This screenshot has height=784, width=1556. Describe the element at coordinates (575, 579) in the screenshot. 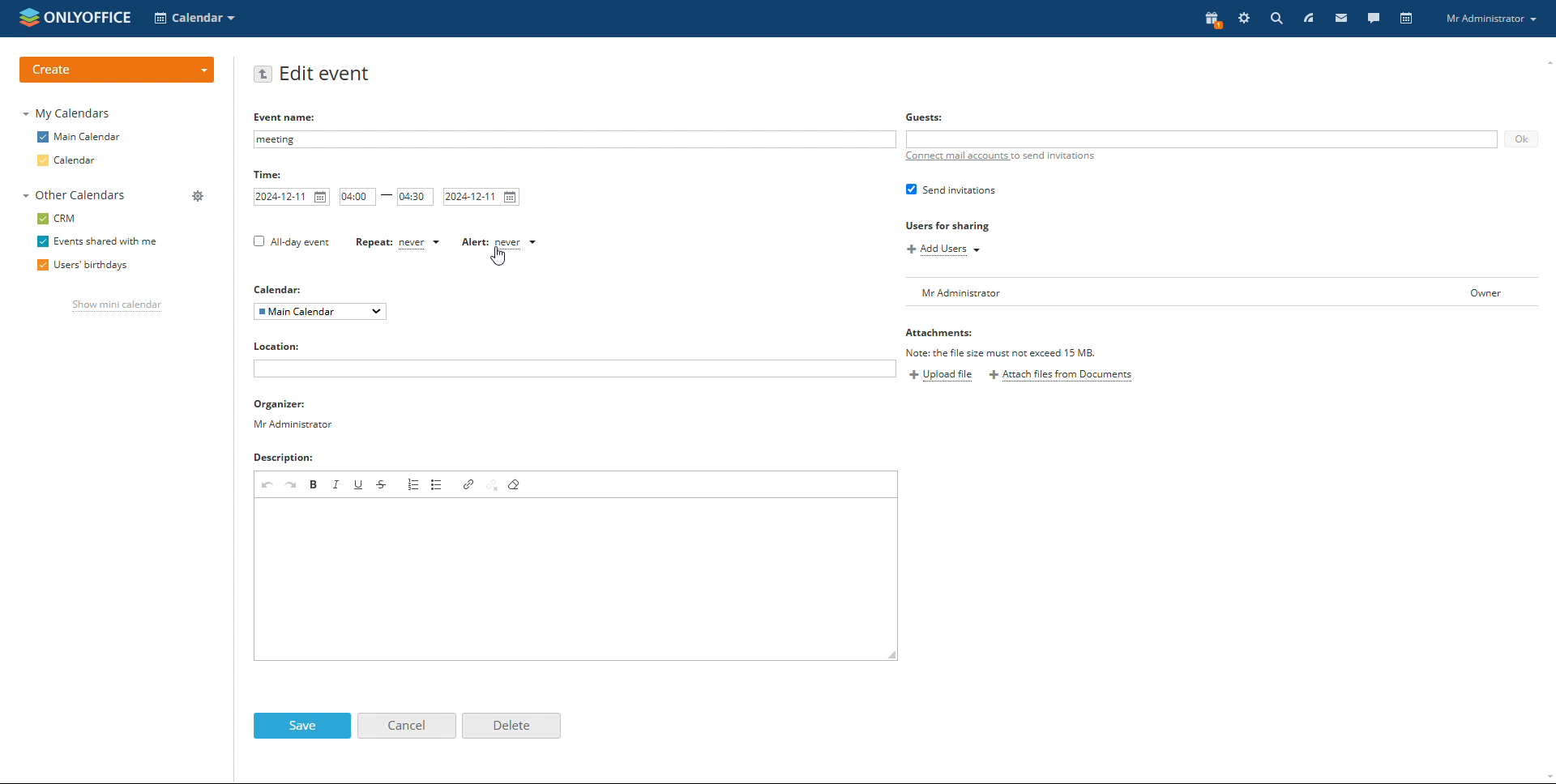

I see `add description` at that location.